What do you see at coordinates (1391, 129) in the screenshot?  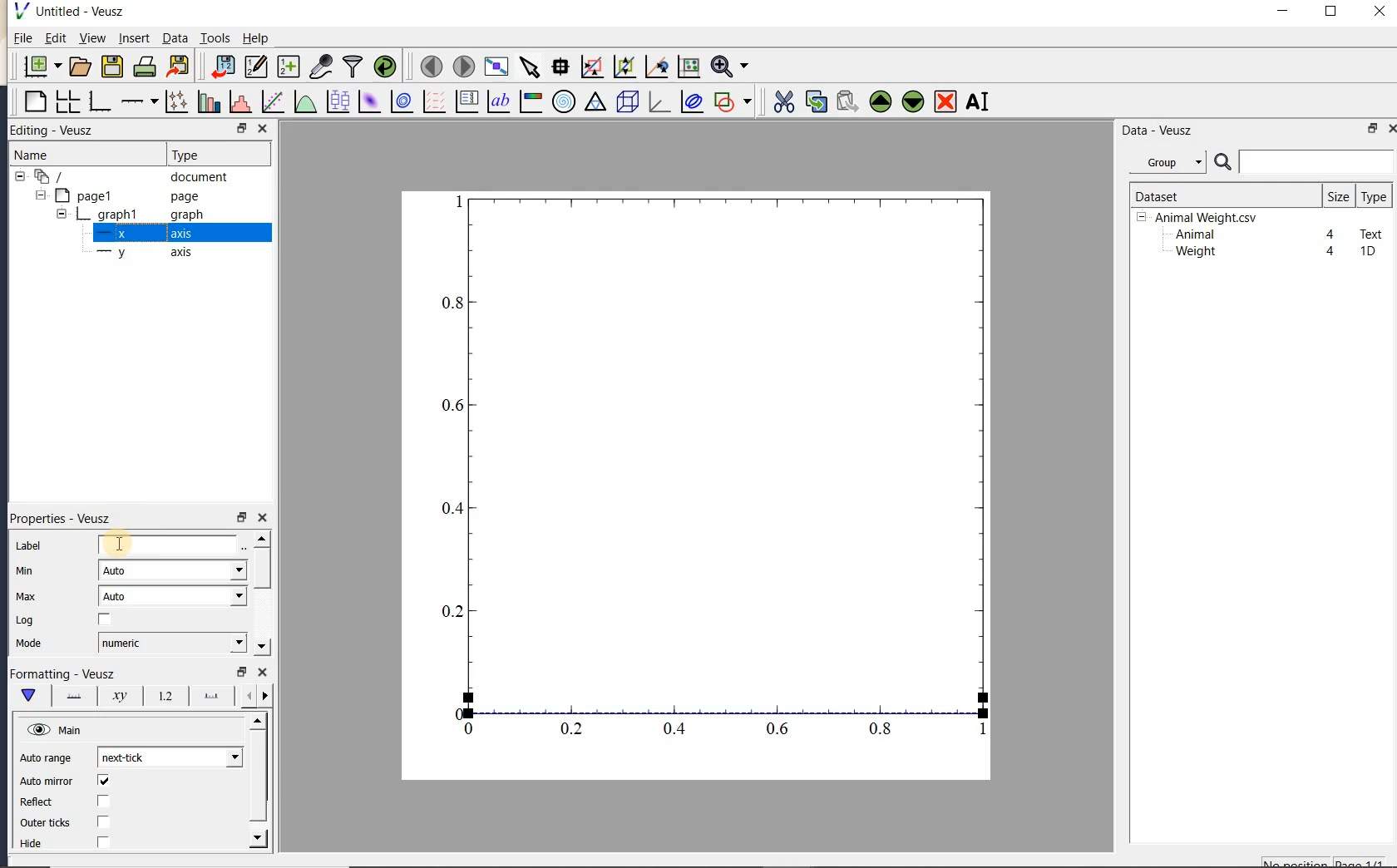 I see `close` at bounding box center [1391, 129].